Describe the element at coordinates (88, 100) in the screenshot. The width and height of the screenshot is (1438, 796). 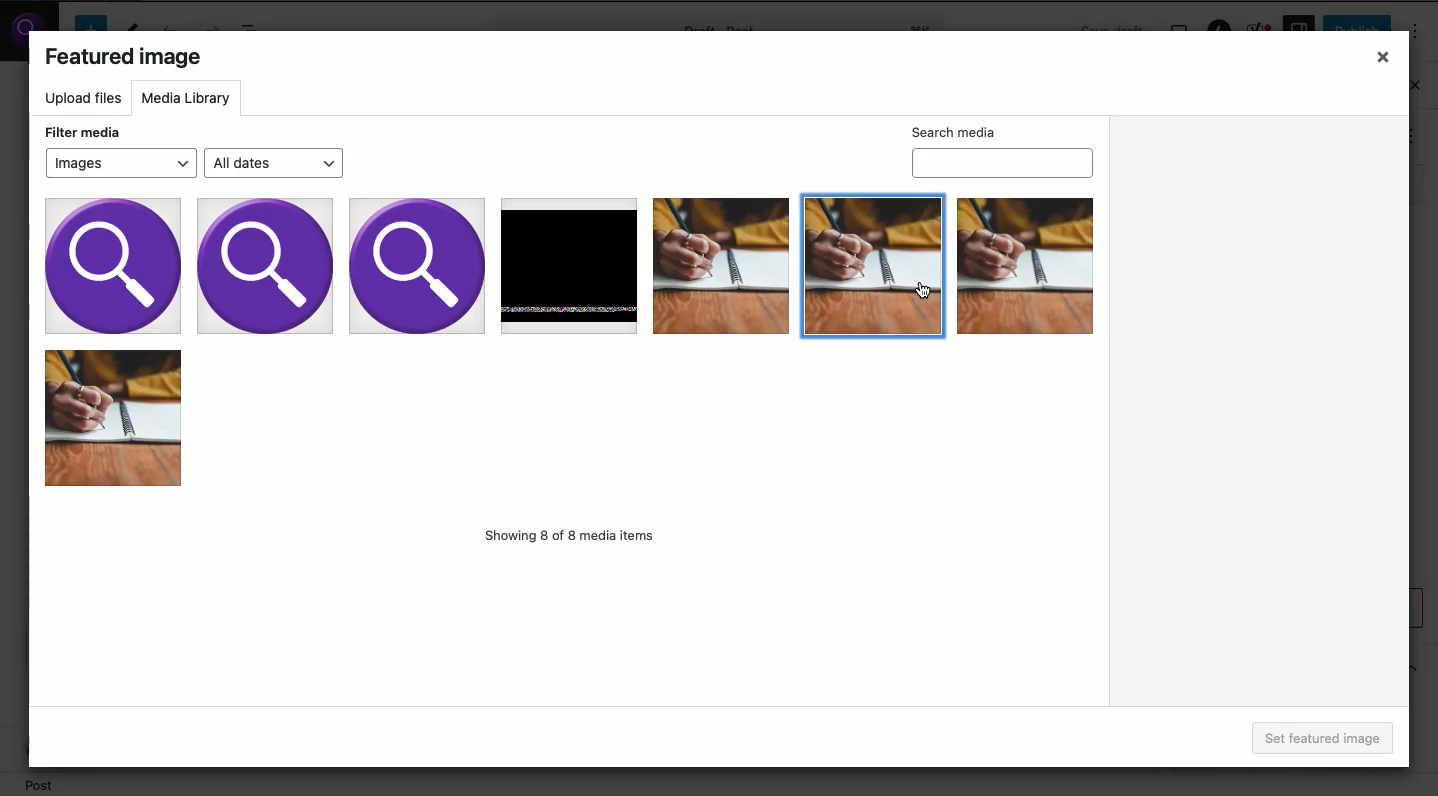
I see `Upload files` at that location.